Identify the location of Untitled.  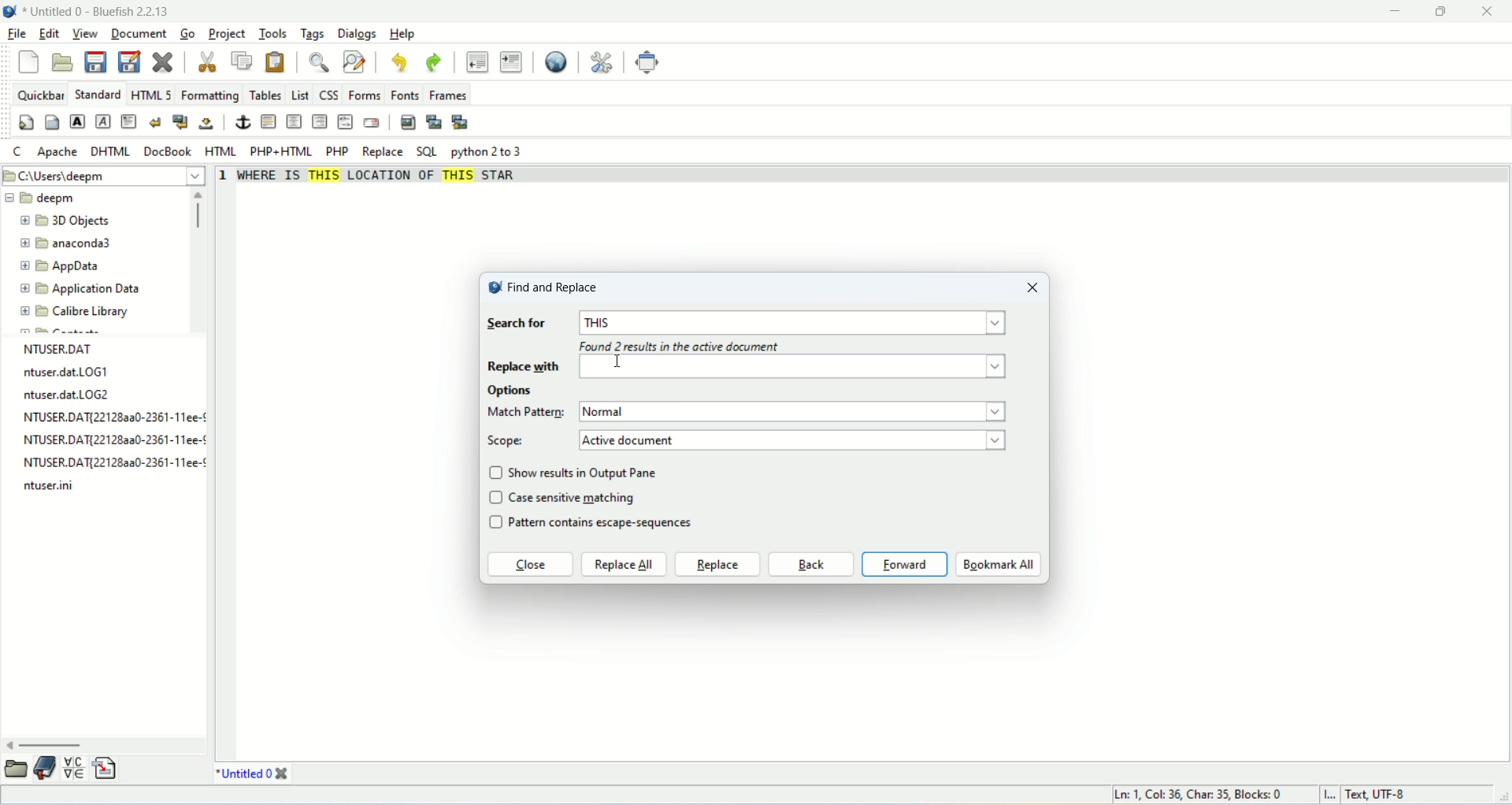
(243, 773).